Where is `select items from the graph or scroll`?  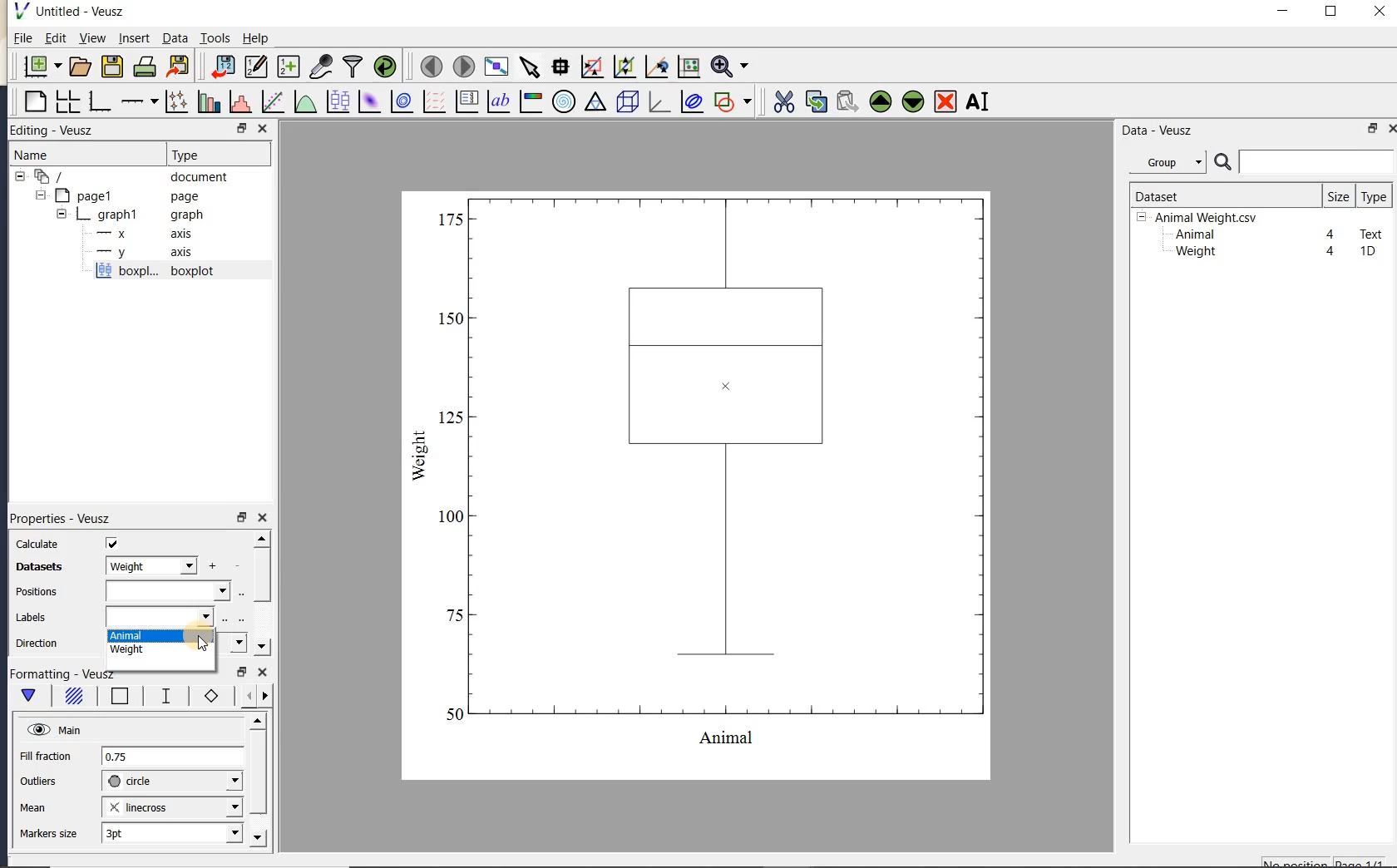 select items from the graph or scroll is located at coordinates (531, 67).